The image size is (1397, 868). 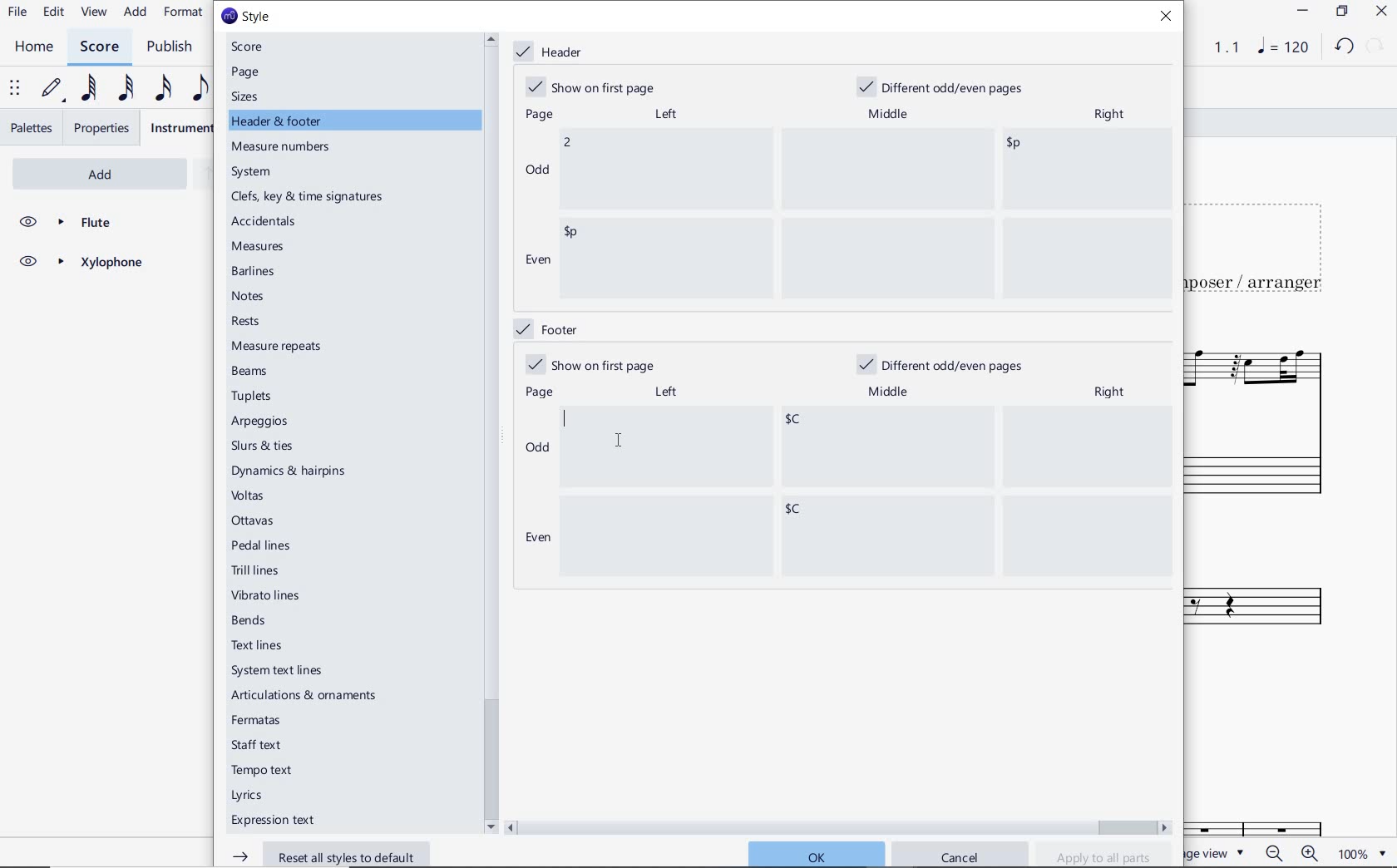 What do you see at coordinates (256, 570) in the screenshot?
I see `trill lines` at bounding box center [256, 570].